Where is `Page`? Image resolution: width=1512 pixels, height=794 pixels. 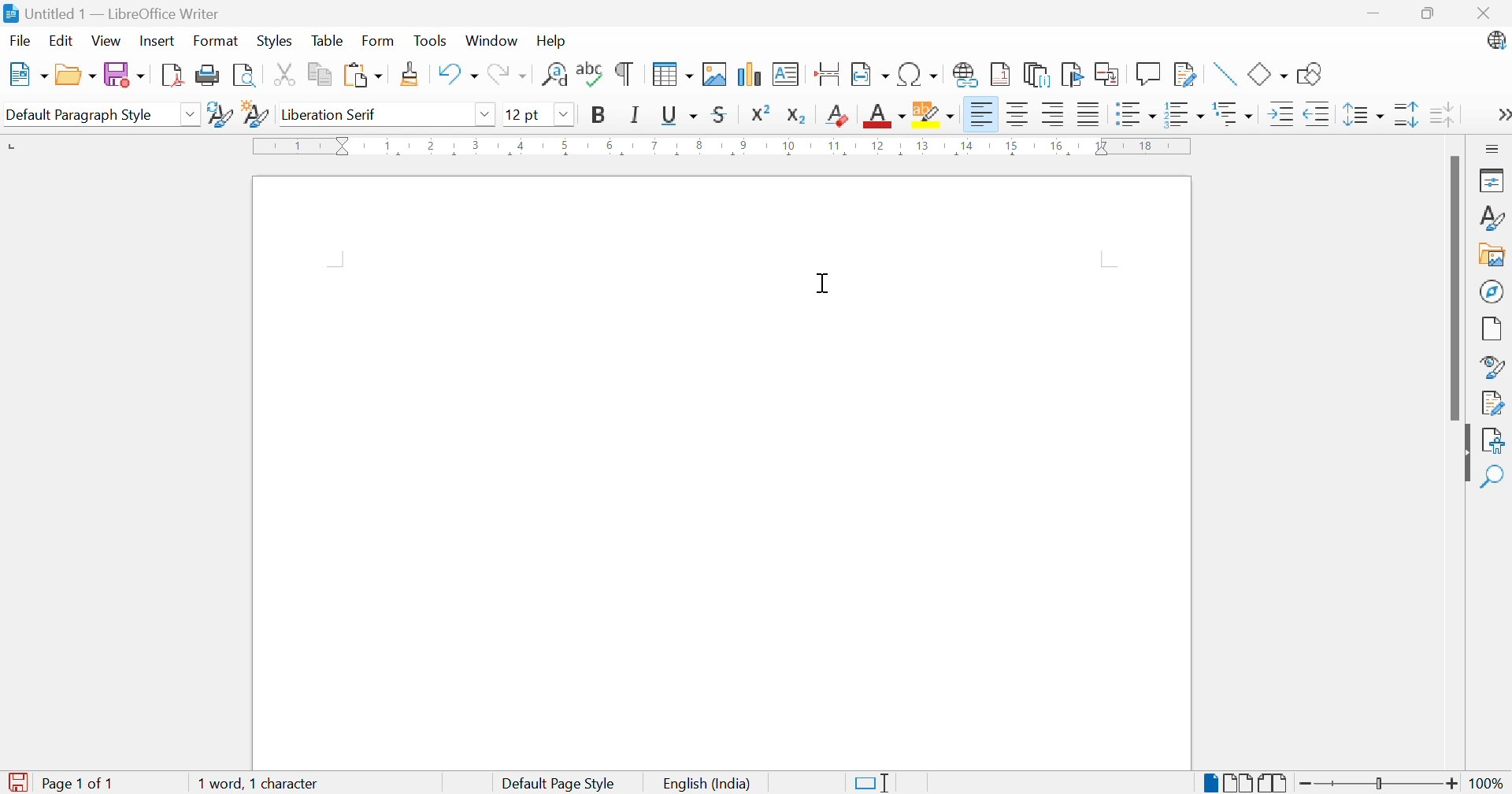 Page is located at coordinates (1492, 328).